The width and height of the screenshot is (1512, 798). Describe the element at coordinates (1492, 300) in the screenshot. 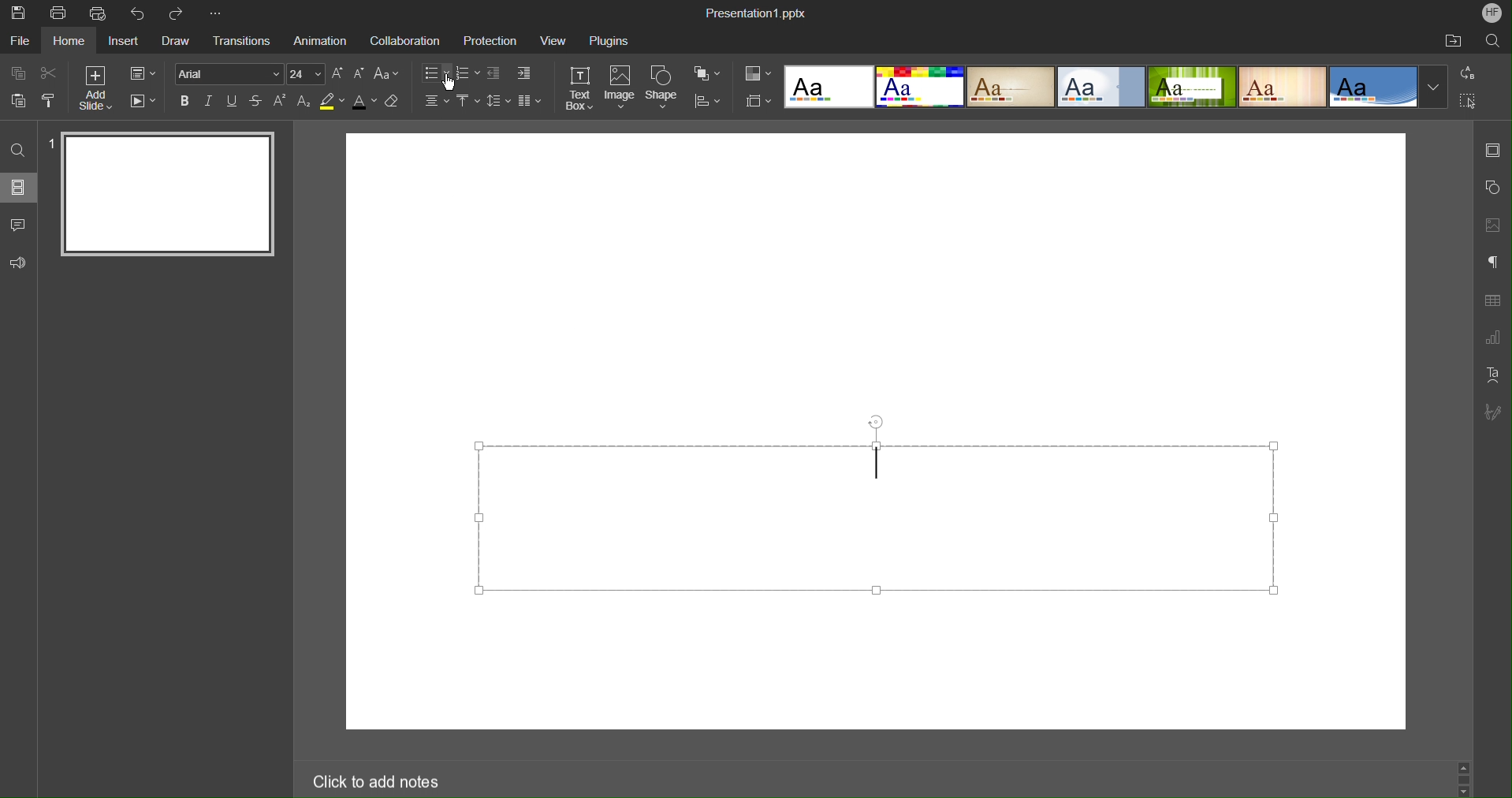

I see `Table Settings` at that location.